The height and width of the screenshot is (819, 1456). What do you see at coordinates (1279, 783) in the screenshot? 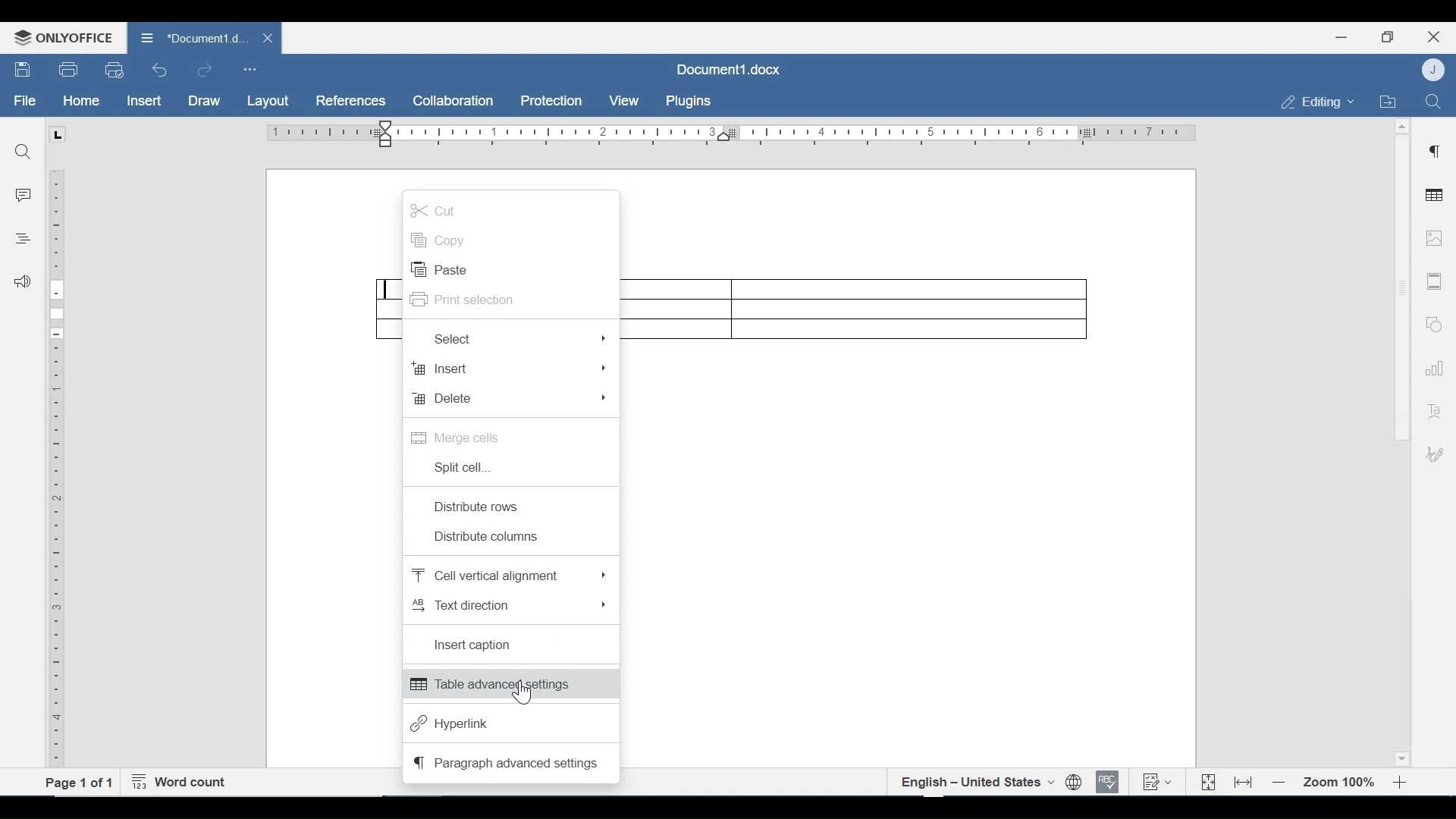
I see `Zoom out` at bounding box center [1279, 783].